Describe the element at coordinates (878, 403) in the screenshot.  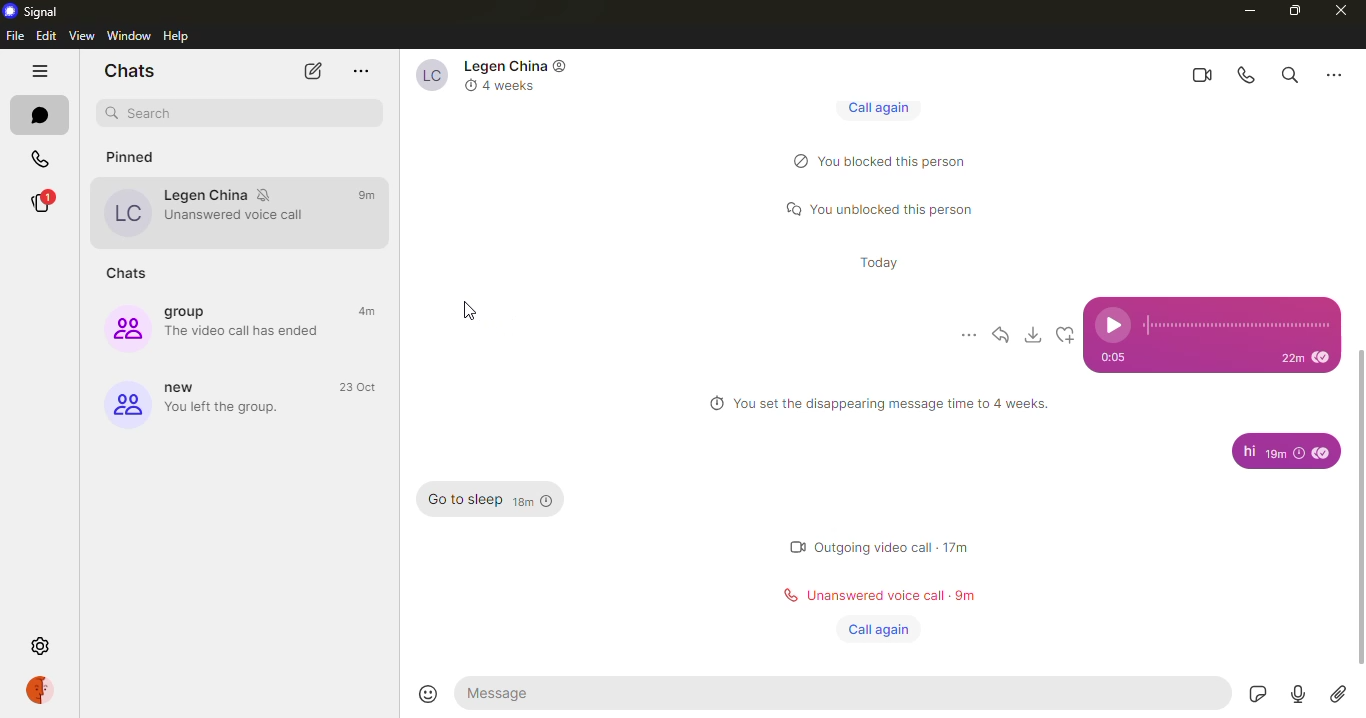
I see `info` at that location.